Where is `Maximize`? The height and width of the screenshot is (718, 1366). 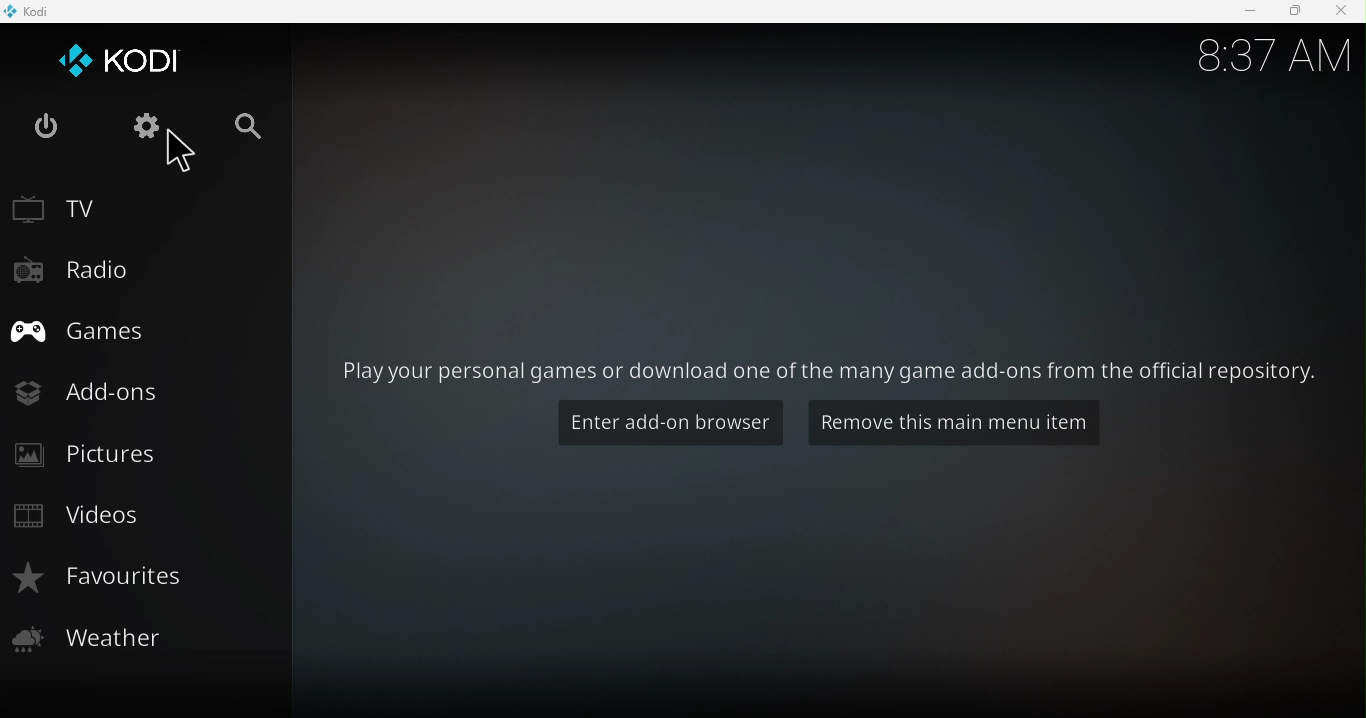 Maximize is located at coordinates (1294, 11).